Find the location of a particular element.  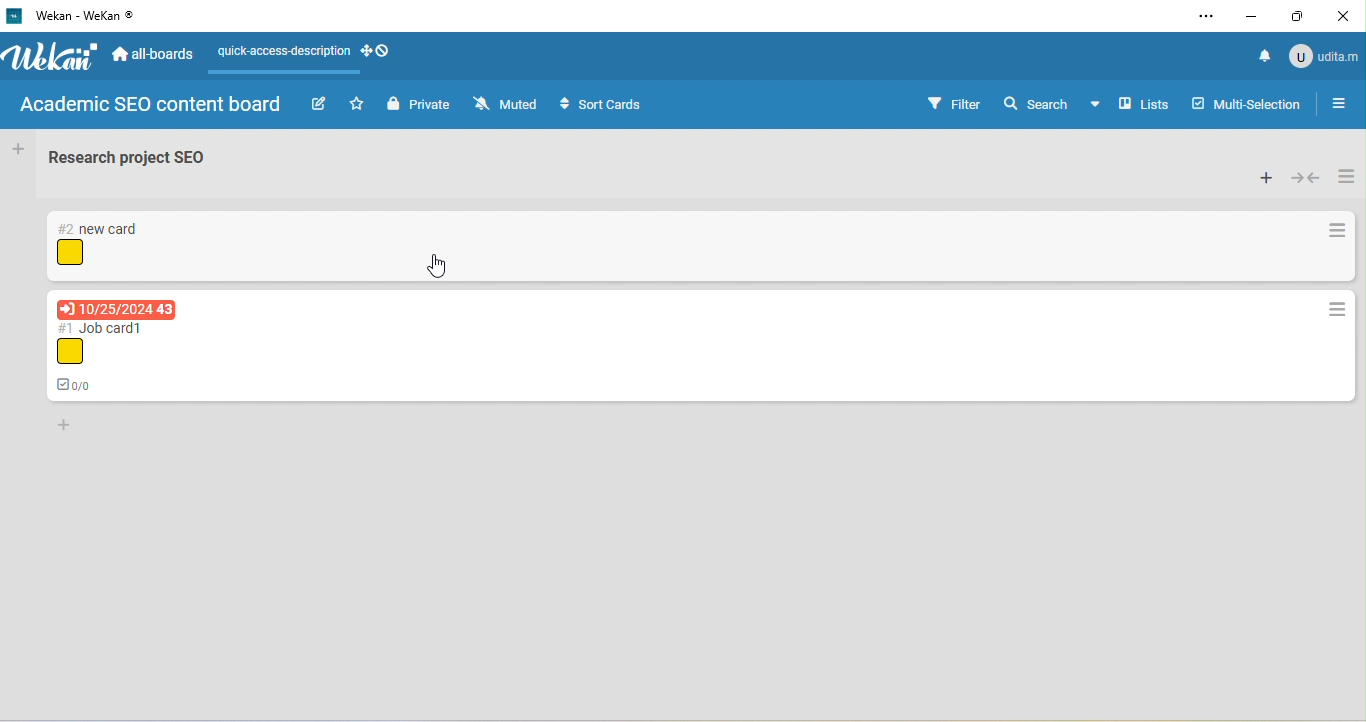

line appeared is located at coordinates (295, 73).